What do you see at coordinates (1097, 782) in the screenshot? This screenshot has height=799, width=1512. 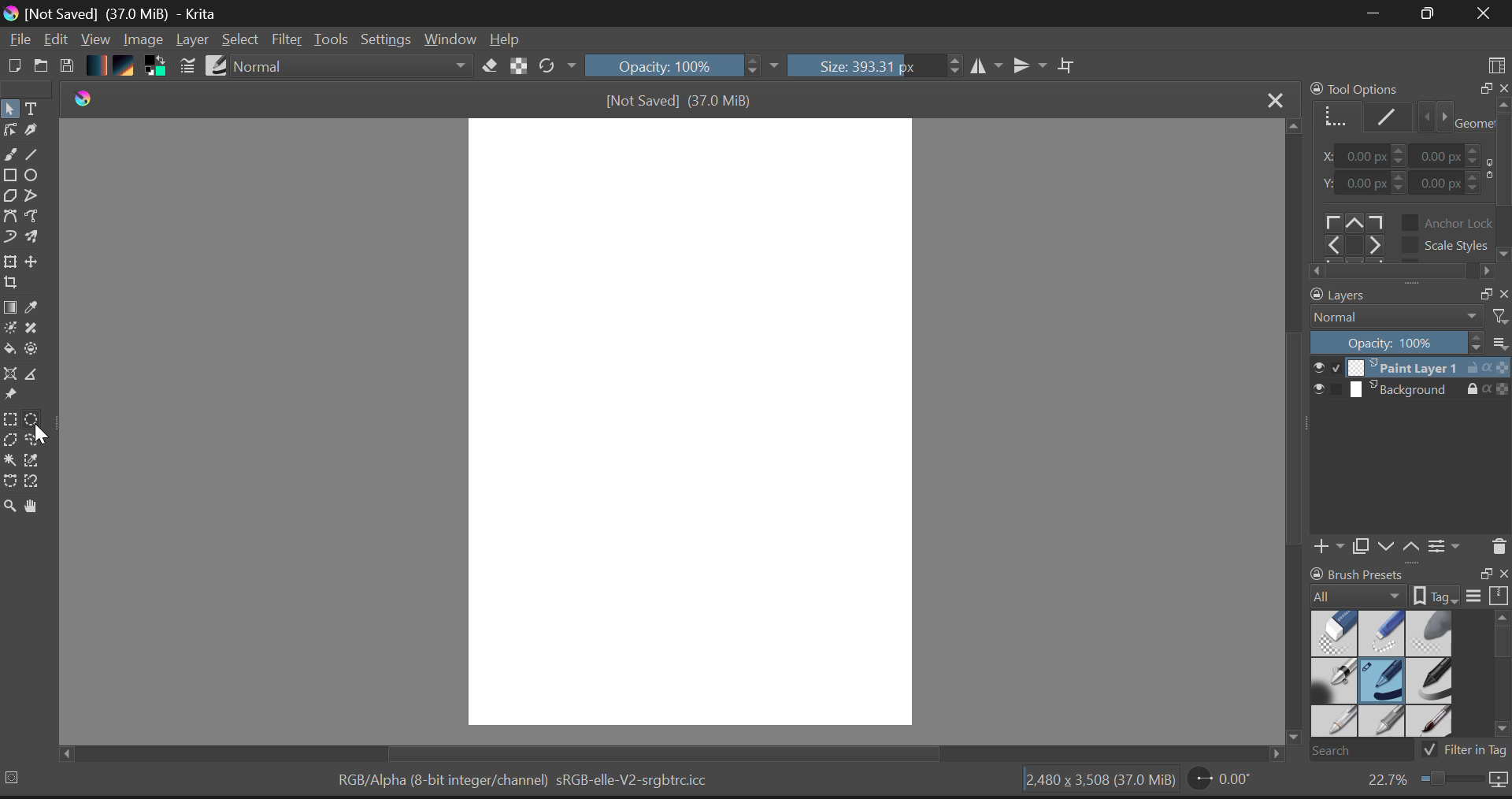 I see `Document Dimensions` at bounding box center [1097, 782].